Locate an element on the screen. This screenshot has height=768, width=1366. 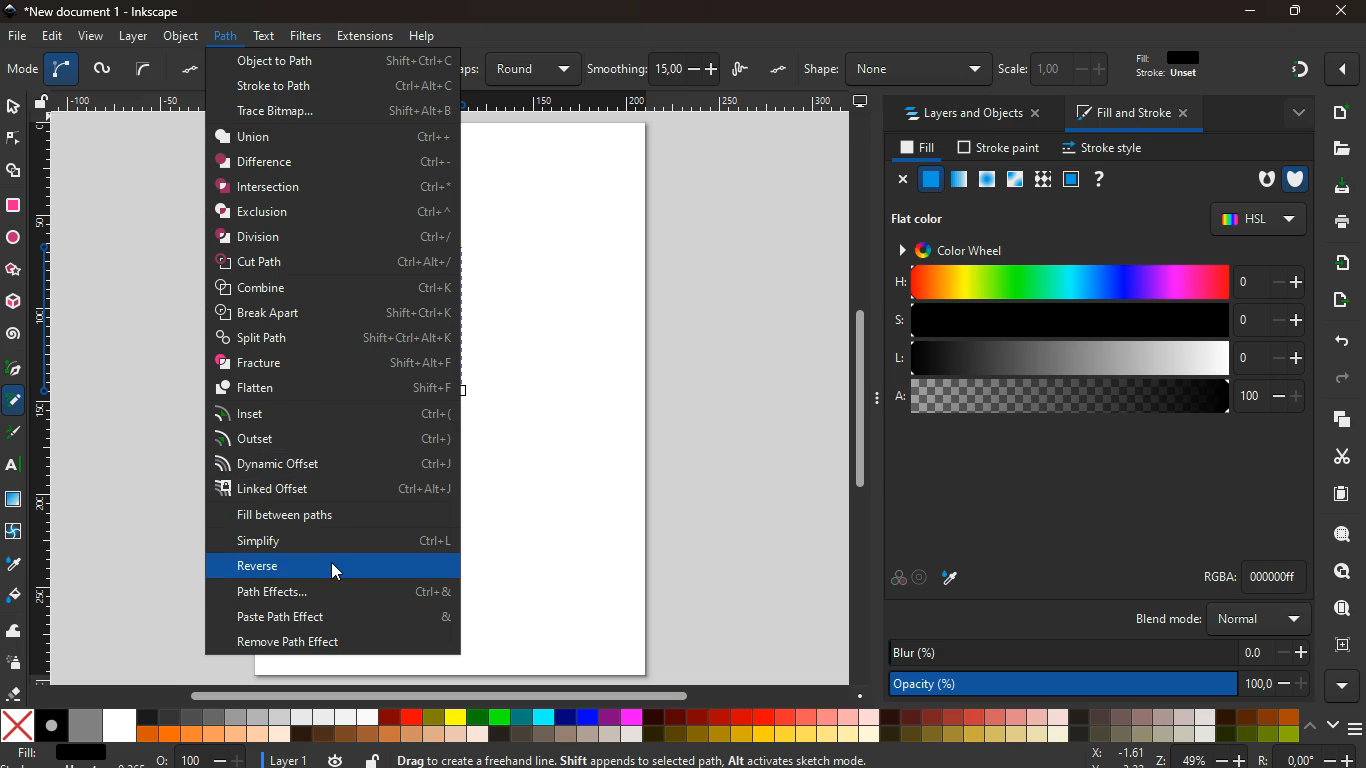
fill between is located at coordinates (330, 516).